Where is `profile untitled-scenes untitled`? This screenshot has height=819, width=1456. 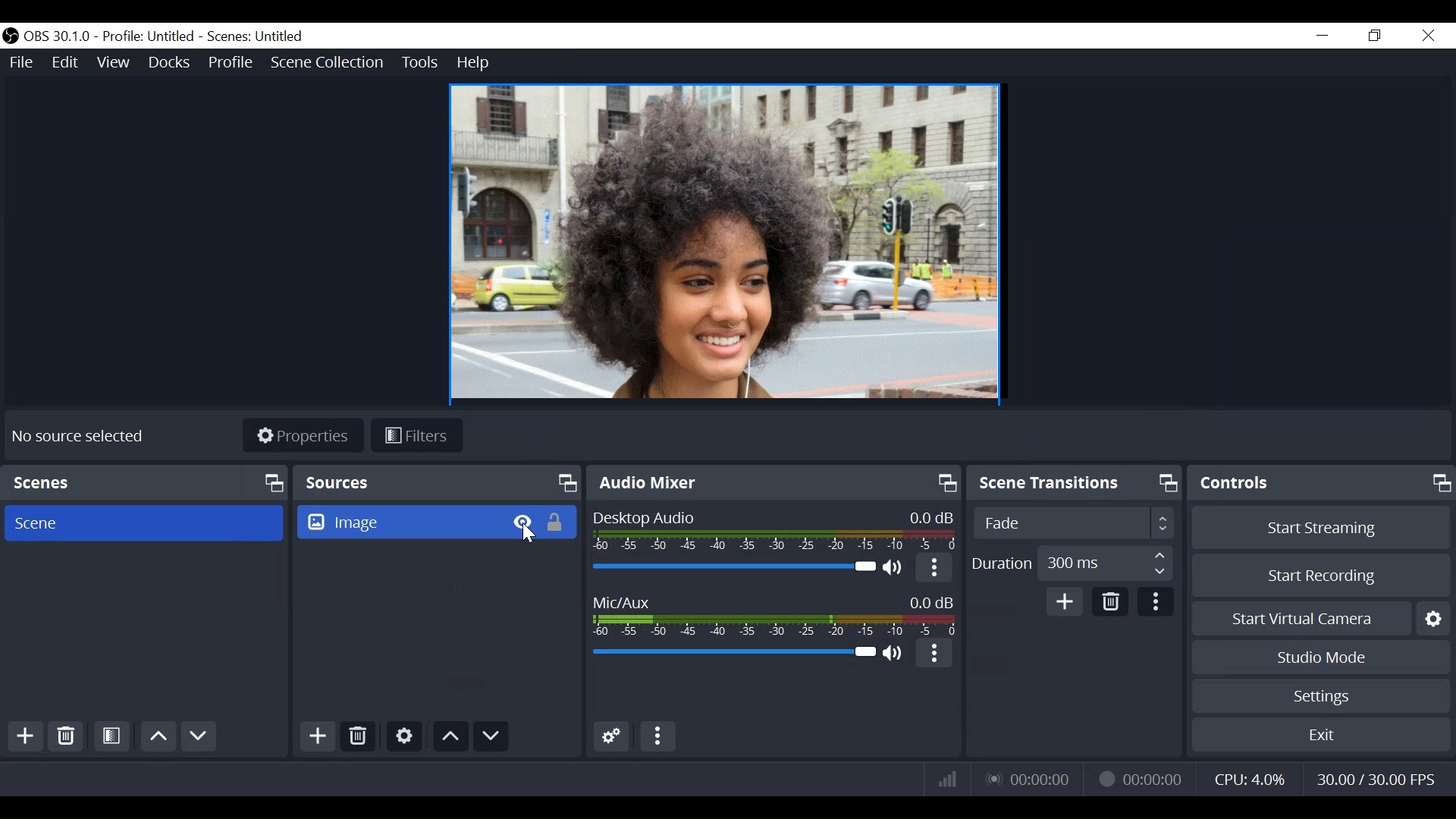
profile untitled-scenes untitled is located at coordinates (208, 36).